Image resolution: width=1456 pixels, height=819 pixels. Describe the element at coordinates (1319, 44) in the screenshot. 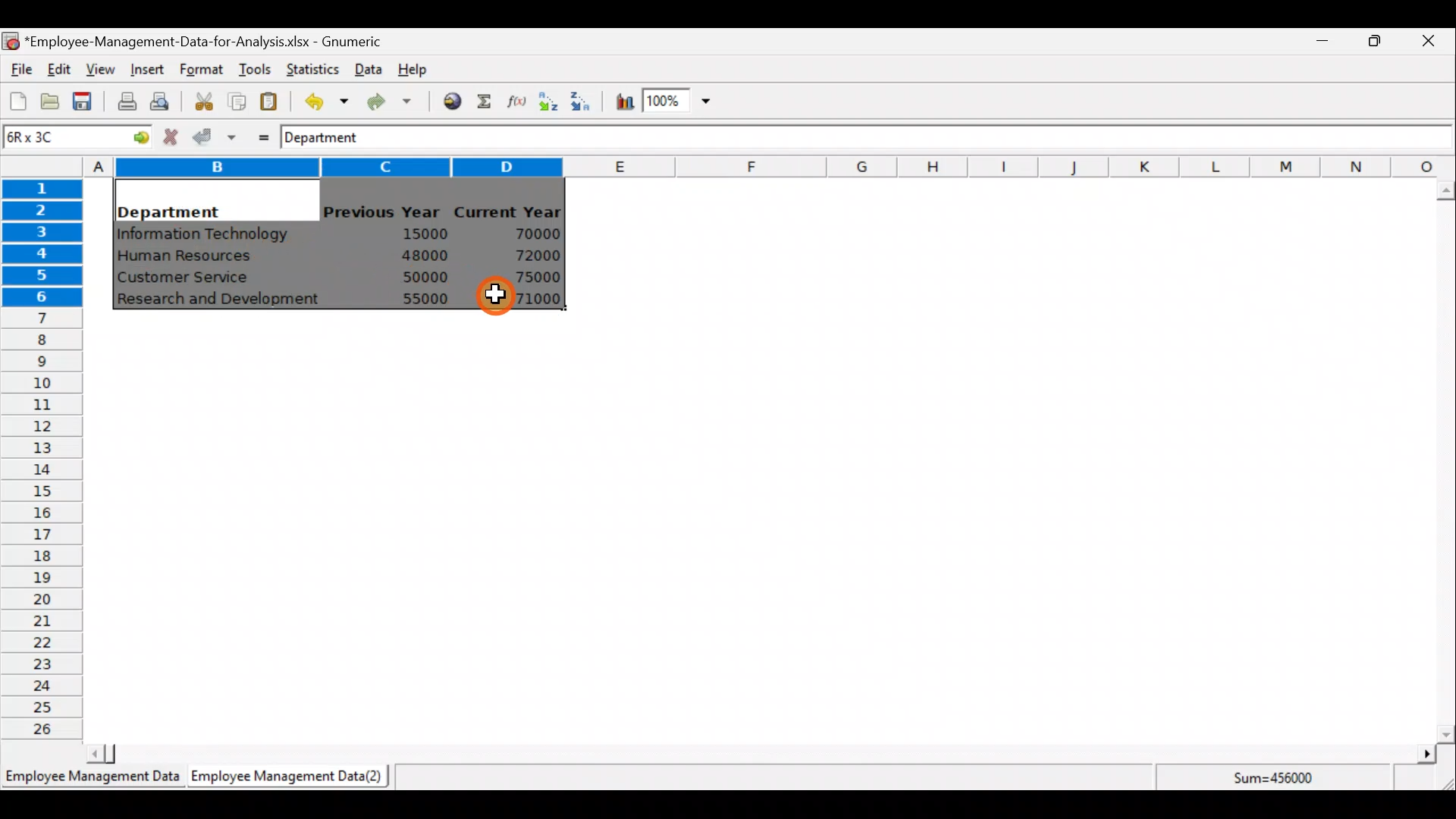

I see `Minimize` at that location.